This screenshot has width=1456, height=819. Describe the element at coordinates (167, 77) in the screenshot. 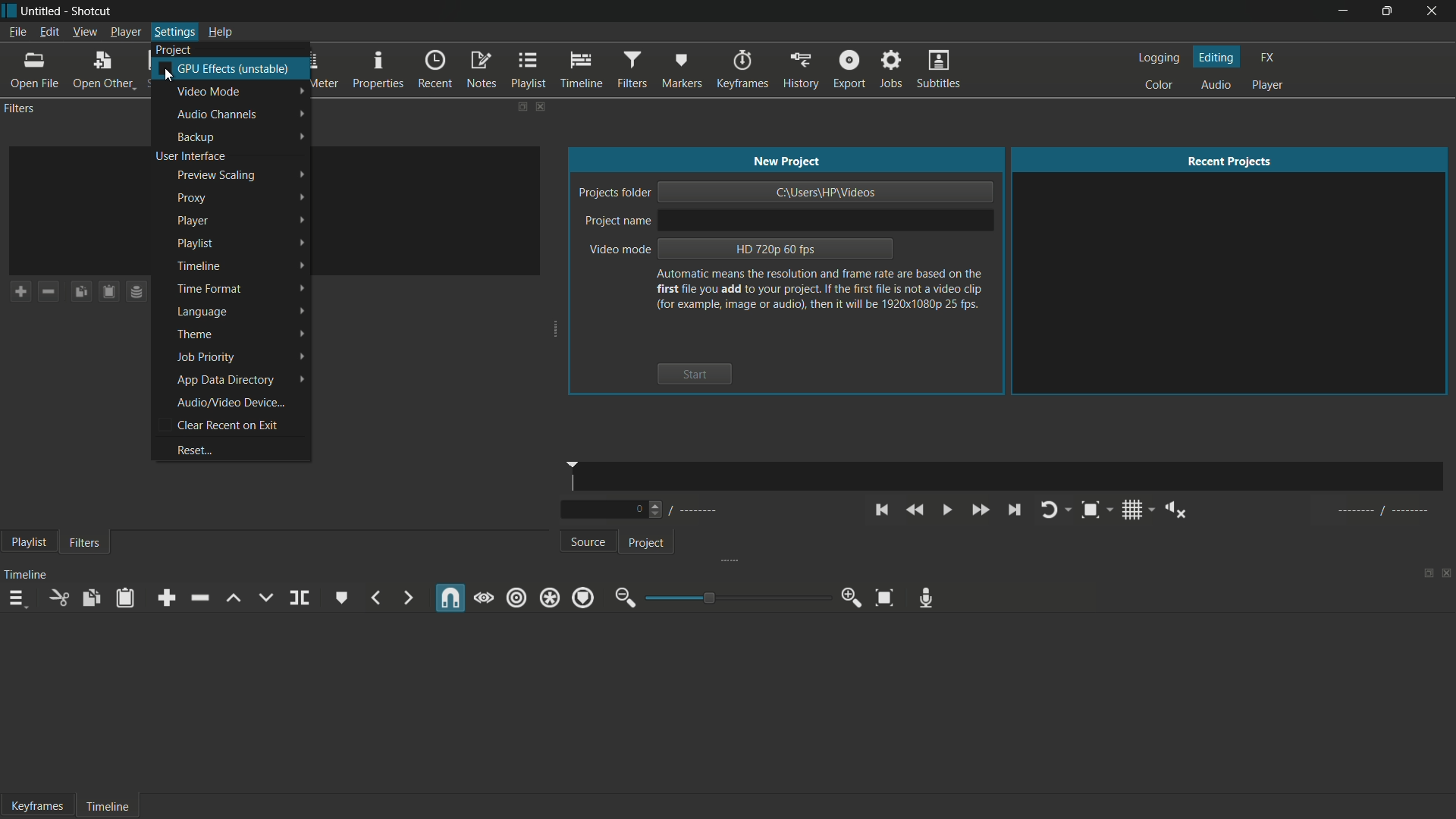

I see `cursor` at that location.